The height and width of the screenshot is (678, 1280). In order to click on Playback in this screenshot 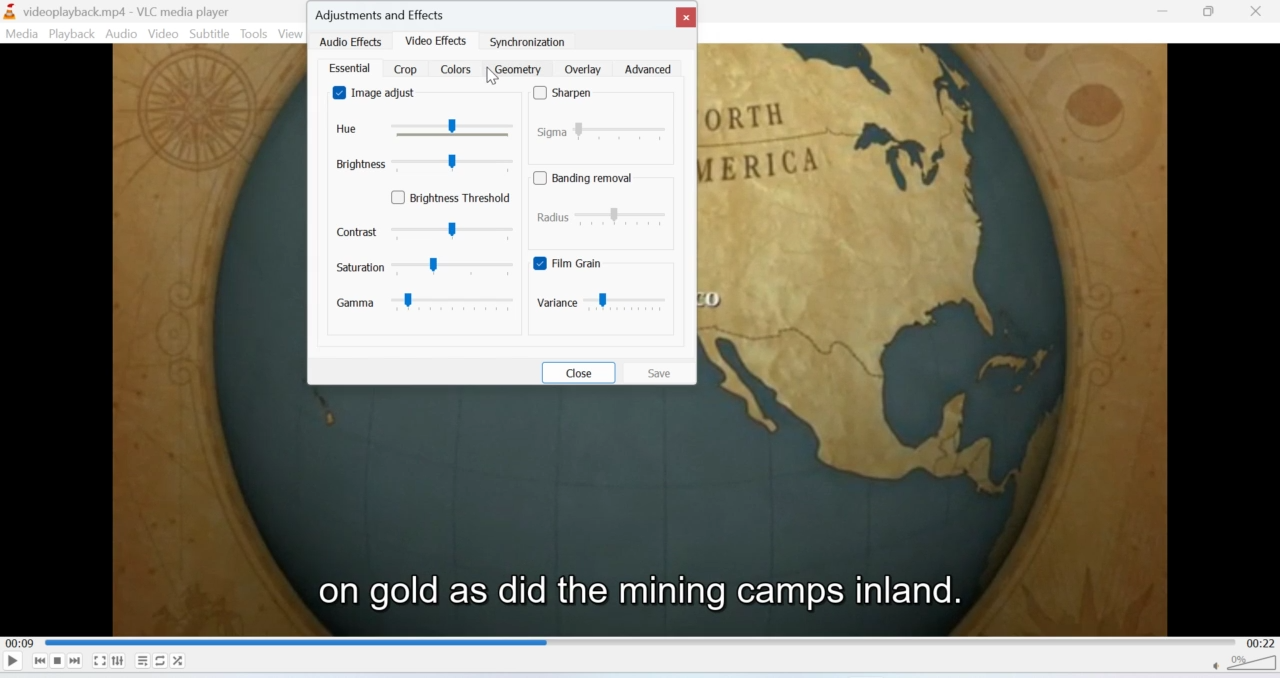, I will do `click(70, 34)`.